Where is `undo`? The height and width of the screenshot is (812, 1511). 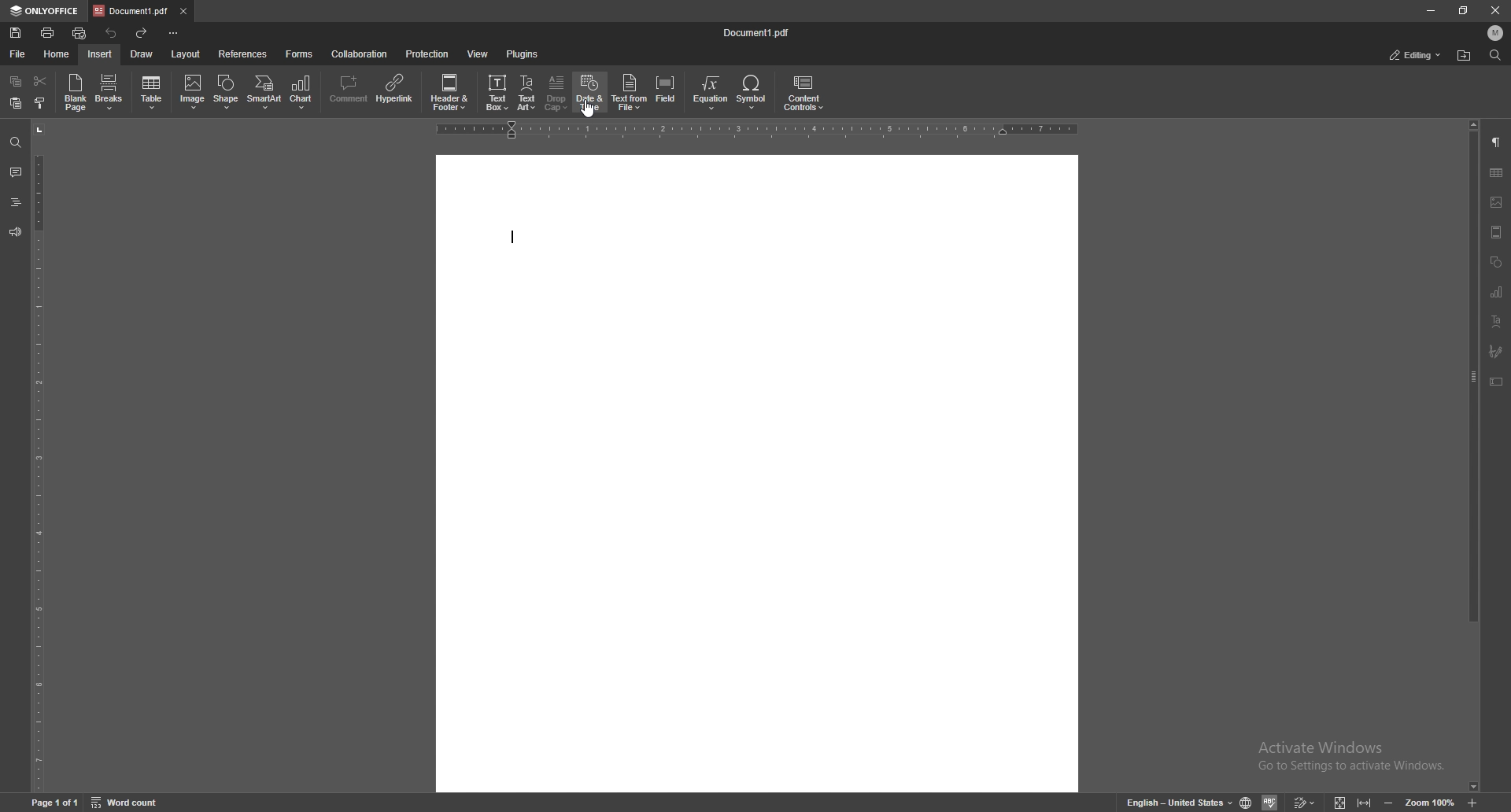
undo is located at coordinates (115, 33).